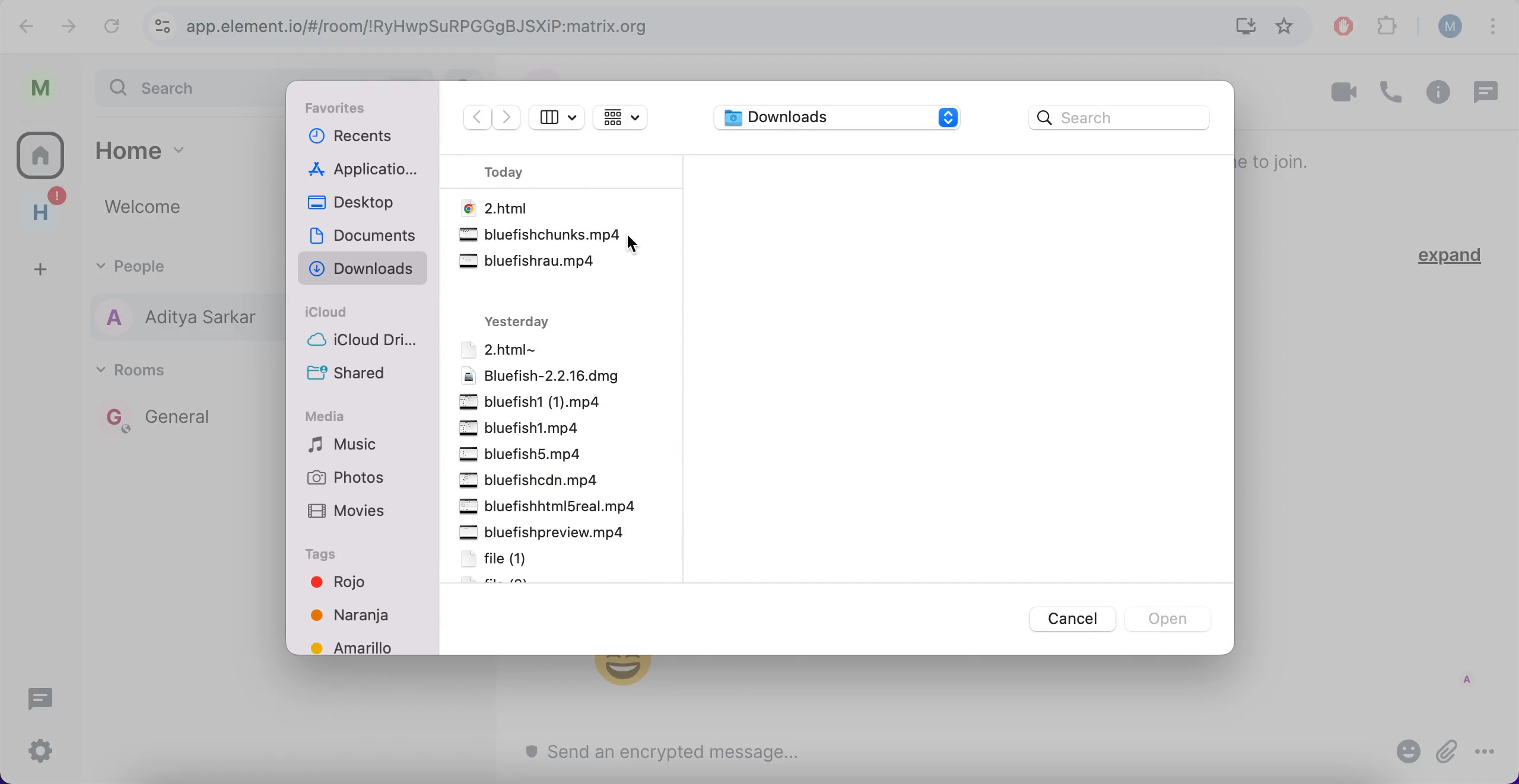 The width and height of the screenshot is (1519, 784). I want to click on bluefishcdn.mp4, so click(536, 477).